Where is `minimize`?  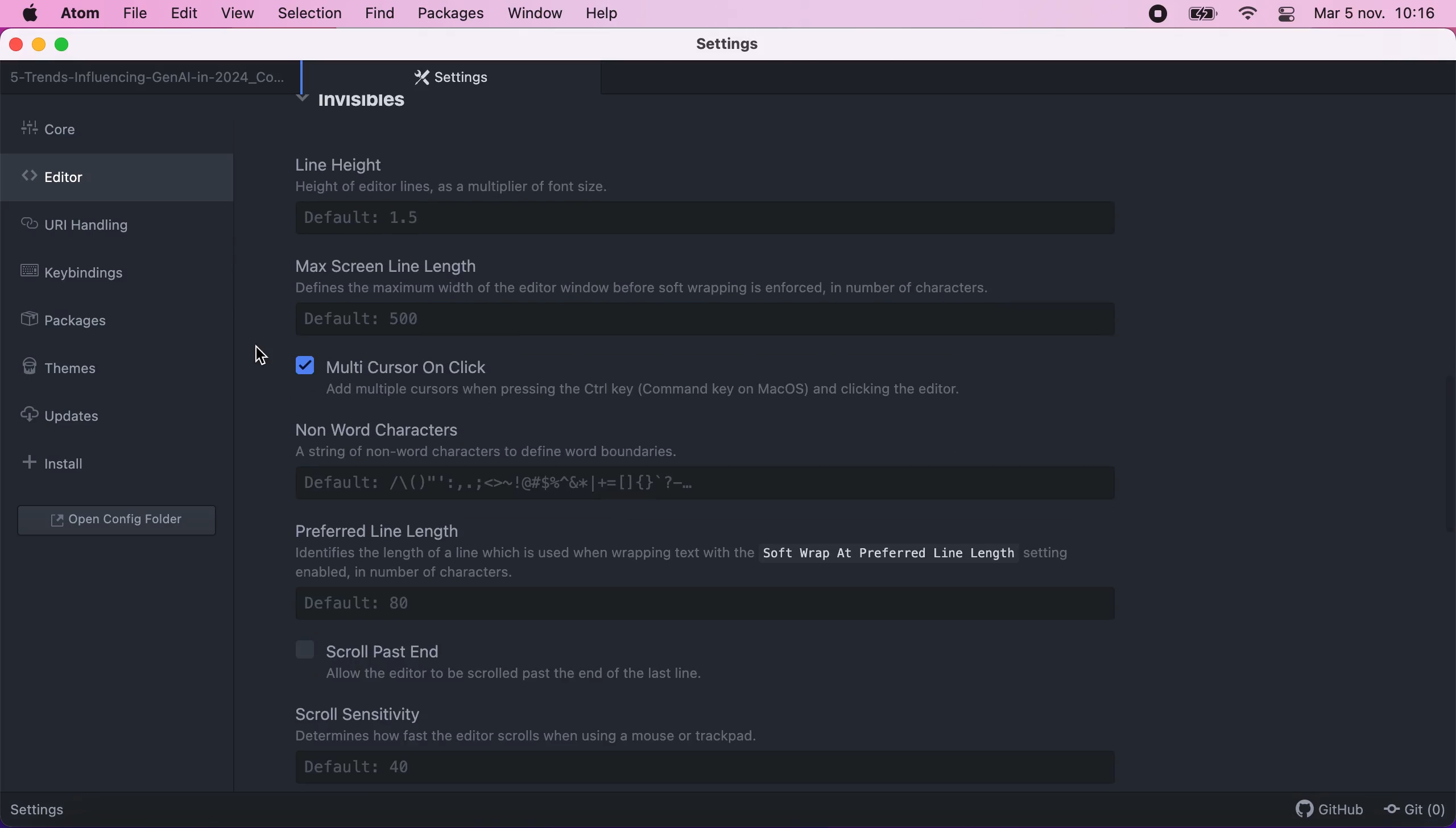 minimize is located at coordinates (38, 46).